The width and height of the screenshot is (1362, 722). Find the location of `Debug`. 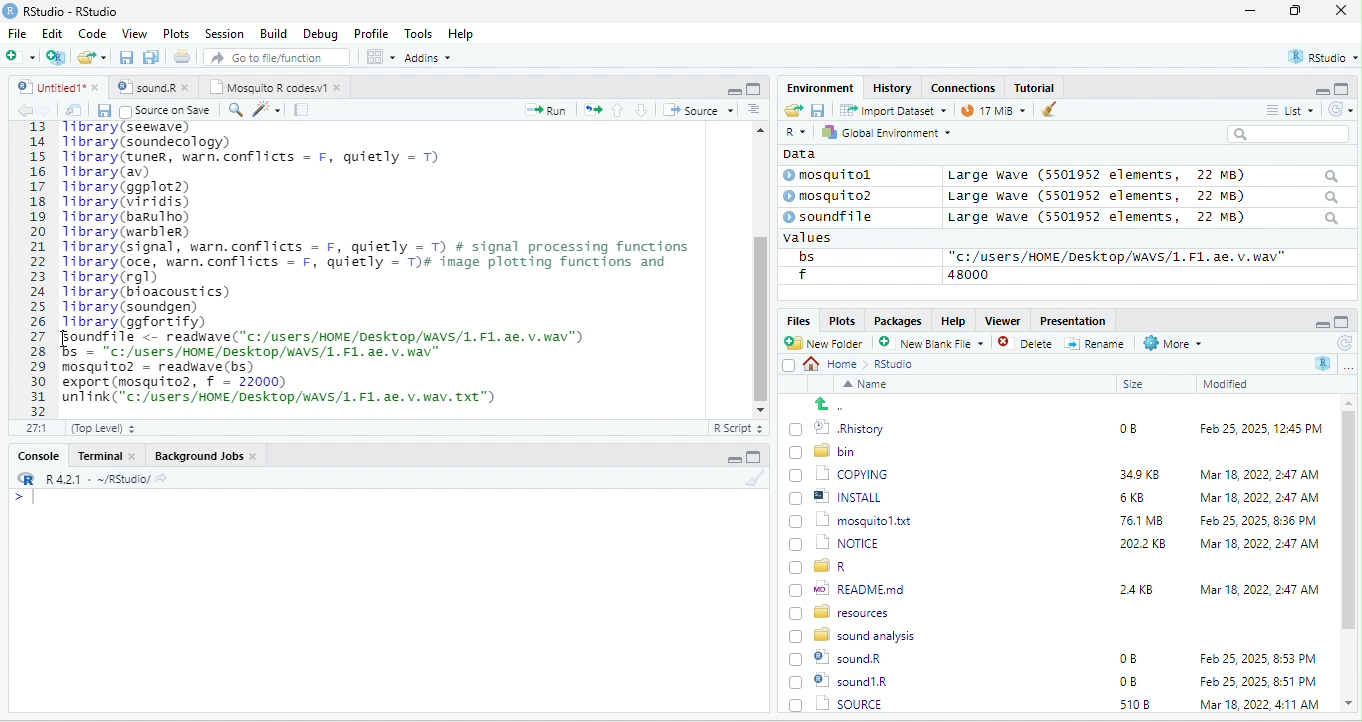

Debug is located at coordinates (320, 33).